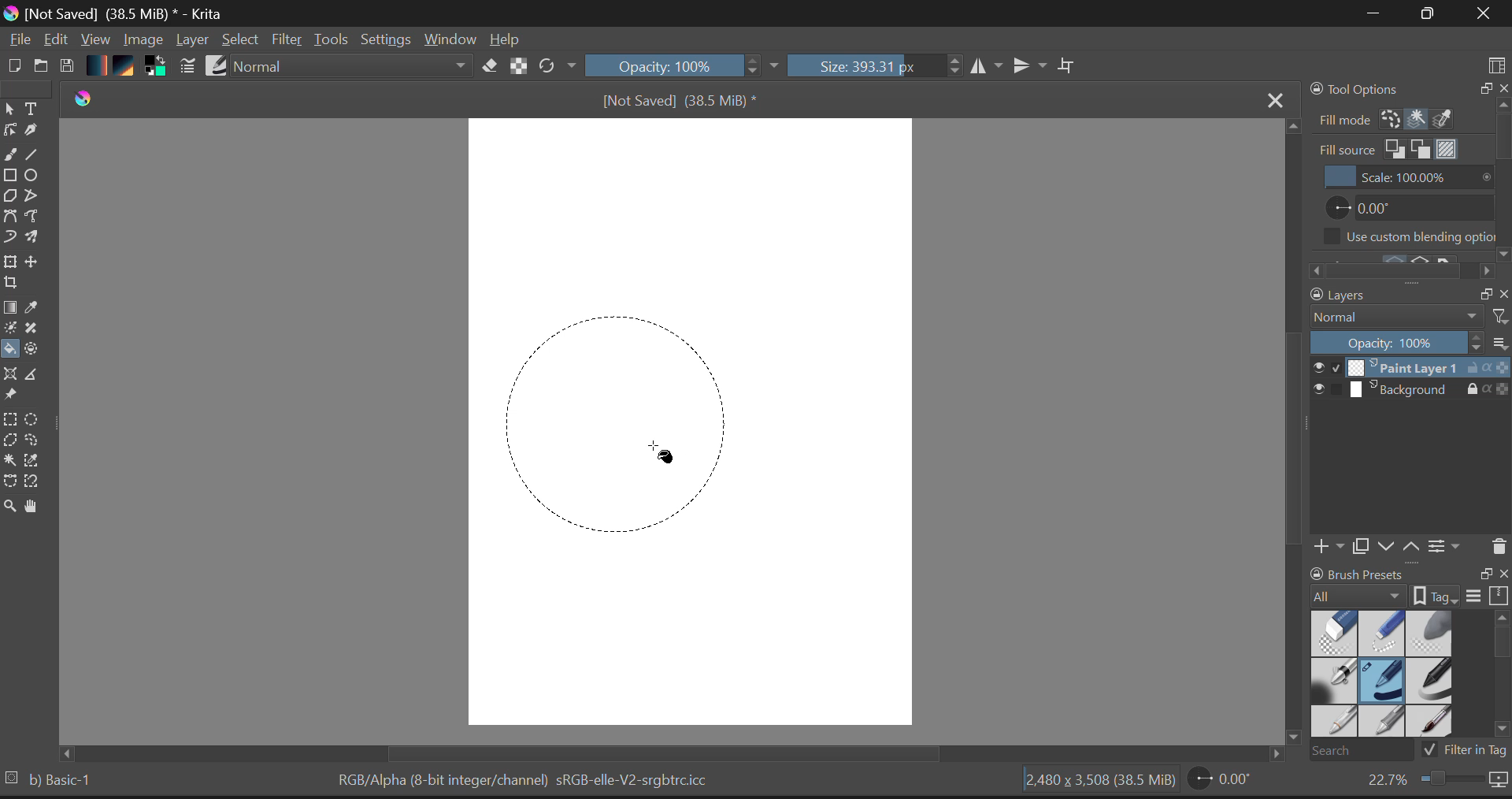 The width and height of the screenshot is (1512, 799). What do you see at coordinates (15, 65) in the screenshot?
I see `New` at bounding box center [15, 65].